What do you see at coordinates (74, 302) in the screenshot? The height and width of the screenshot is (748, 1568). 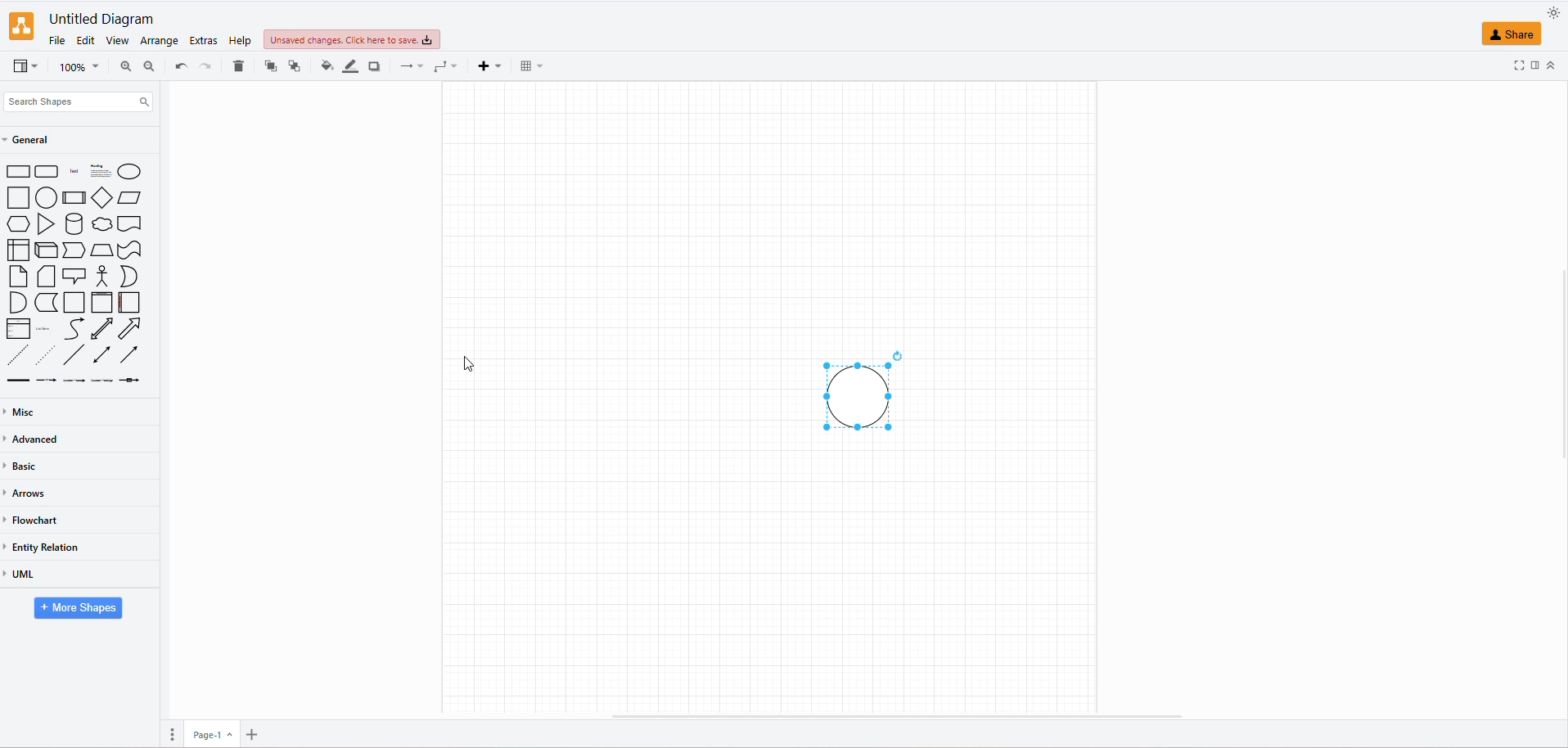 I see `CONTAINER` at bounding box center [74, 302].